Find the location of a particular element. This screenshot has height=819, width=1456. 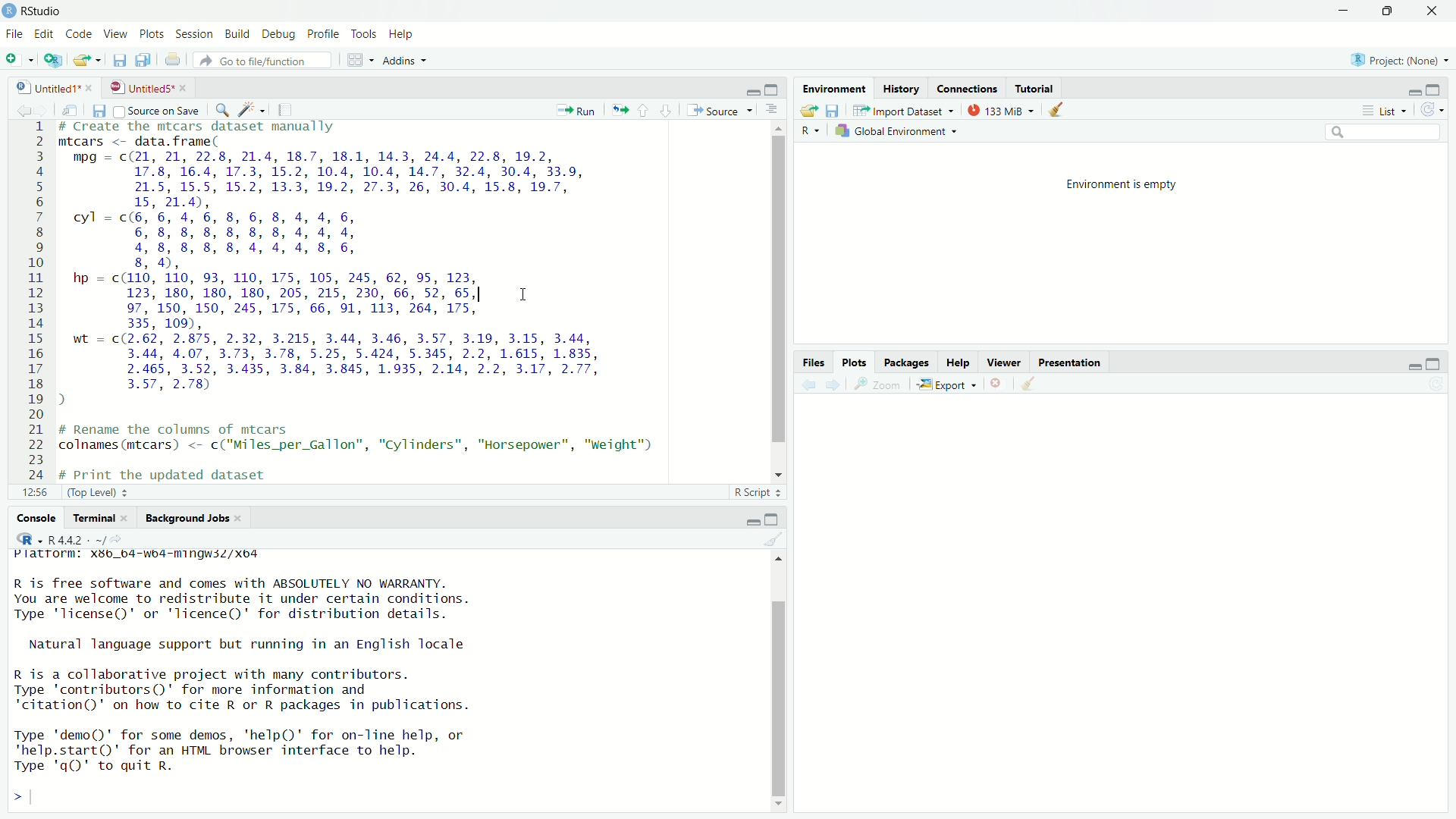

Tools is located at coordinates (366, 35).